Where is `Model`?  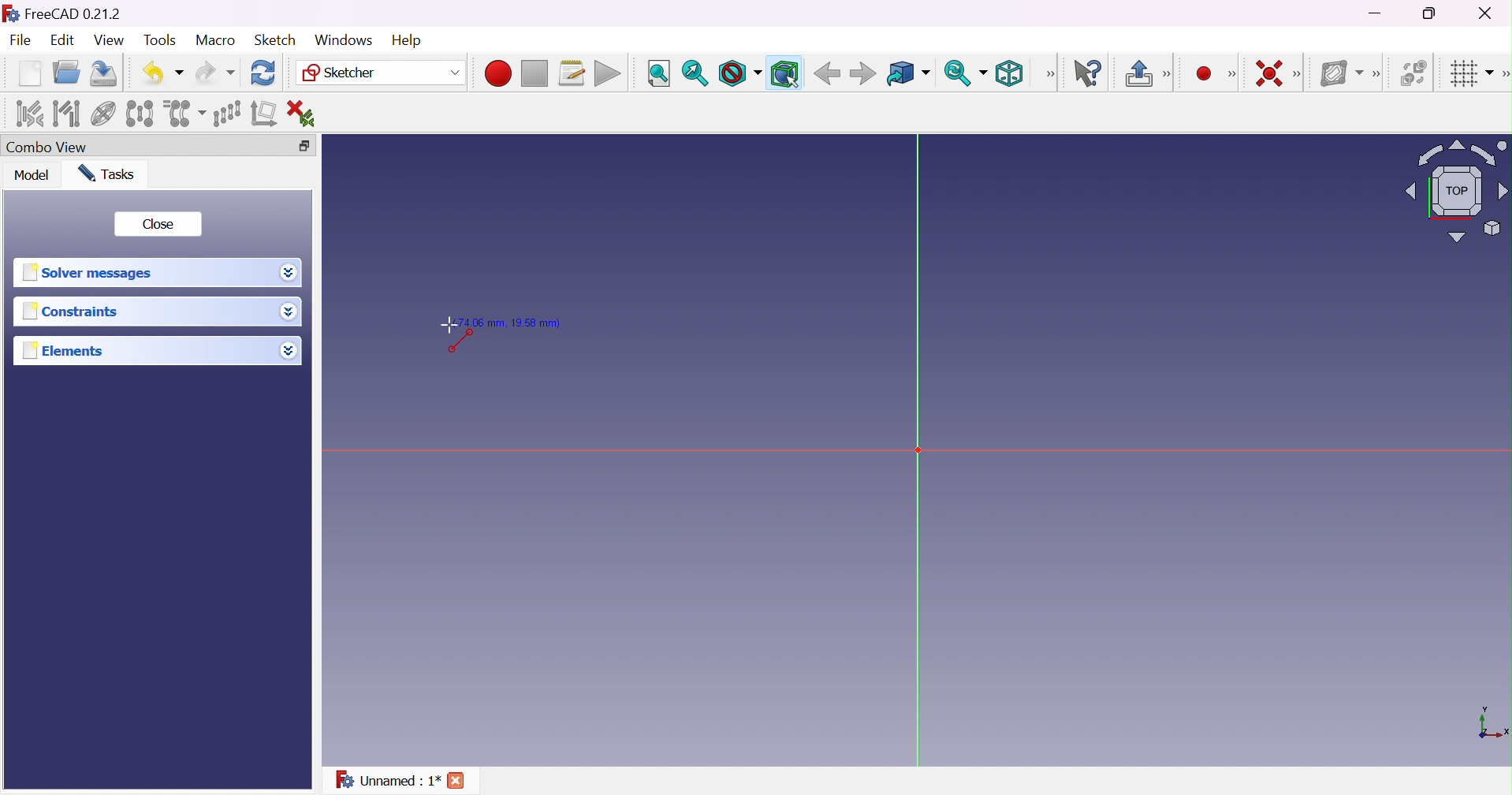
Model is located at coordinates (32, 176).